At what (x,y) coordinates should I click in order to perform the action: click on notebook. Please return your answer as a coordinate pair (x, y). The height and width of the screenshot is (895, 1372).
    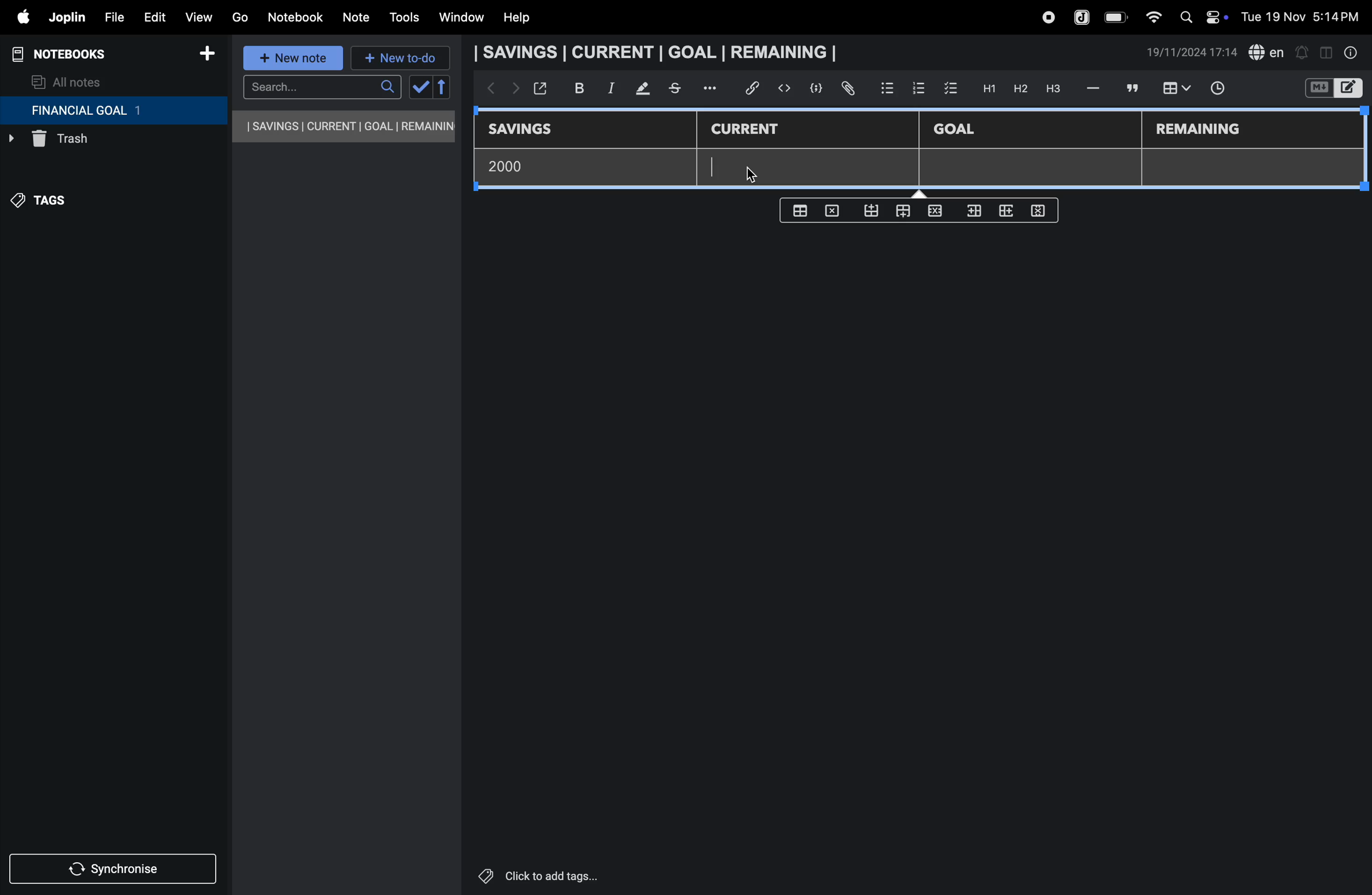
    Looking at the image, I should click on (295, 17).